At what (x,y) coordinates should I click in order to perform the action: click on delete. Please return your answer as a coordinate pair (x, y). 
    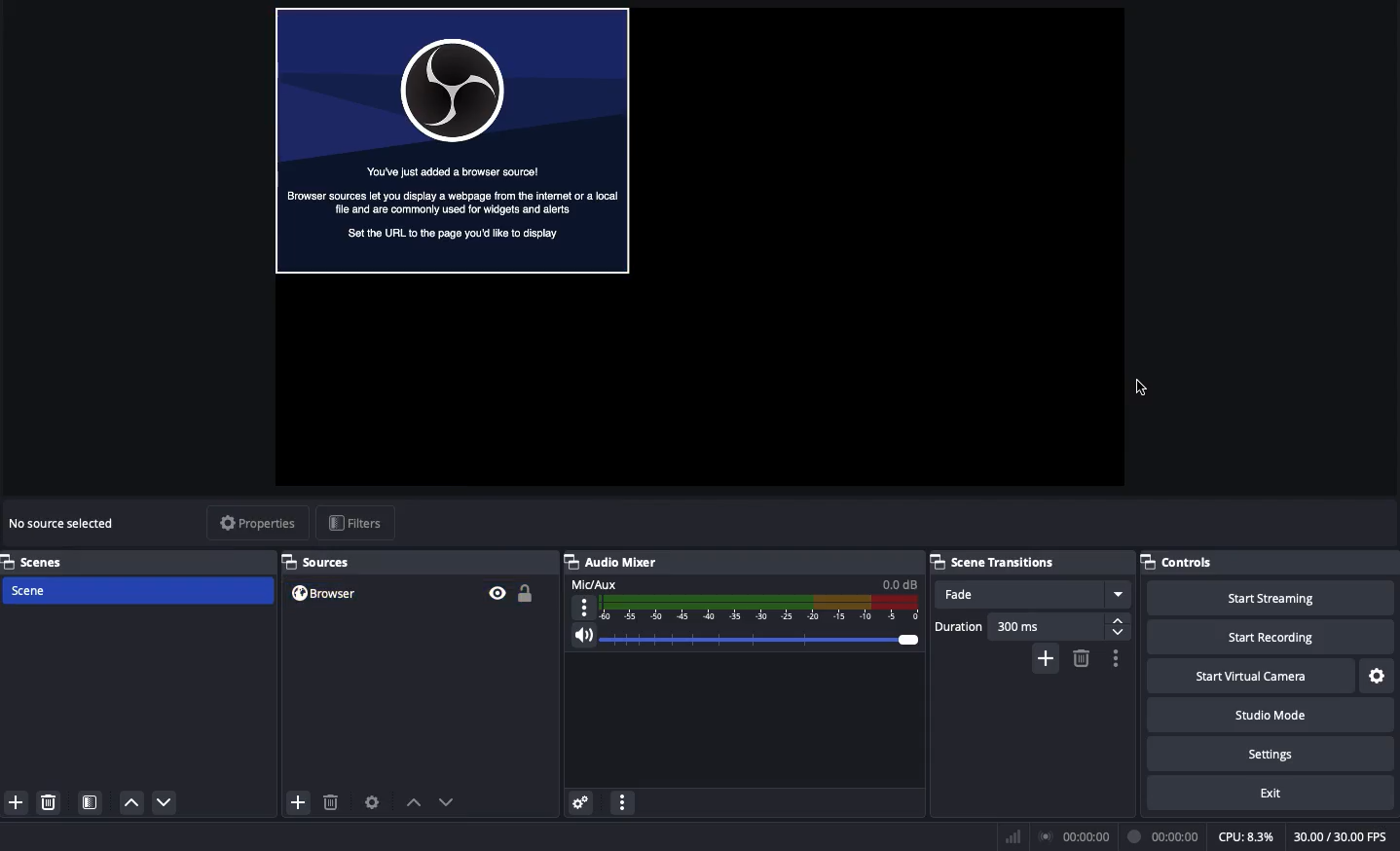
    Looking at the image, I should click on (326, 796).